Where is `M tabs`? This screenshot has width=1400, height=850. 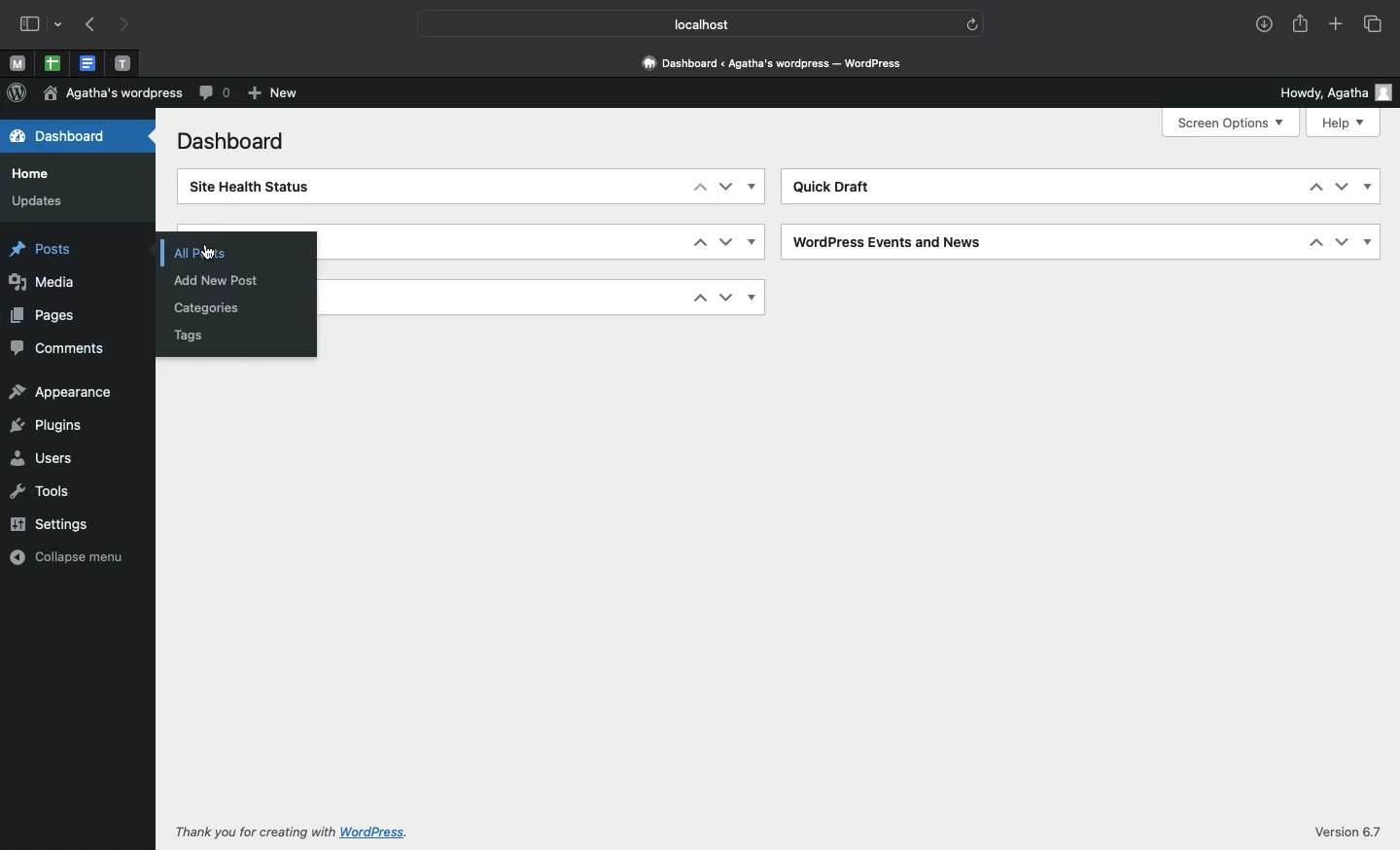
M tabs is located at coordinates (15, 62).